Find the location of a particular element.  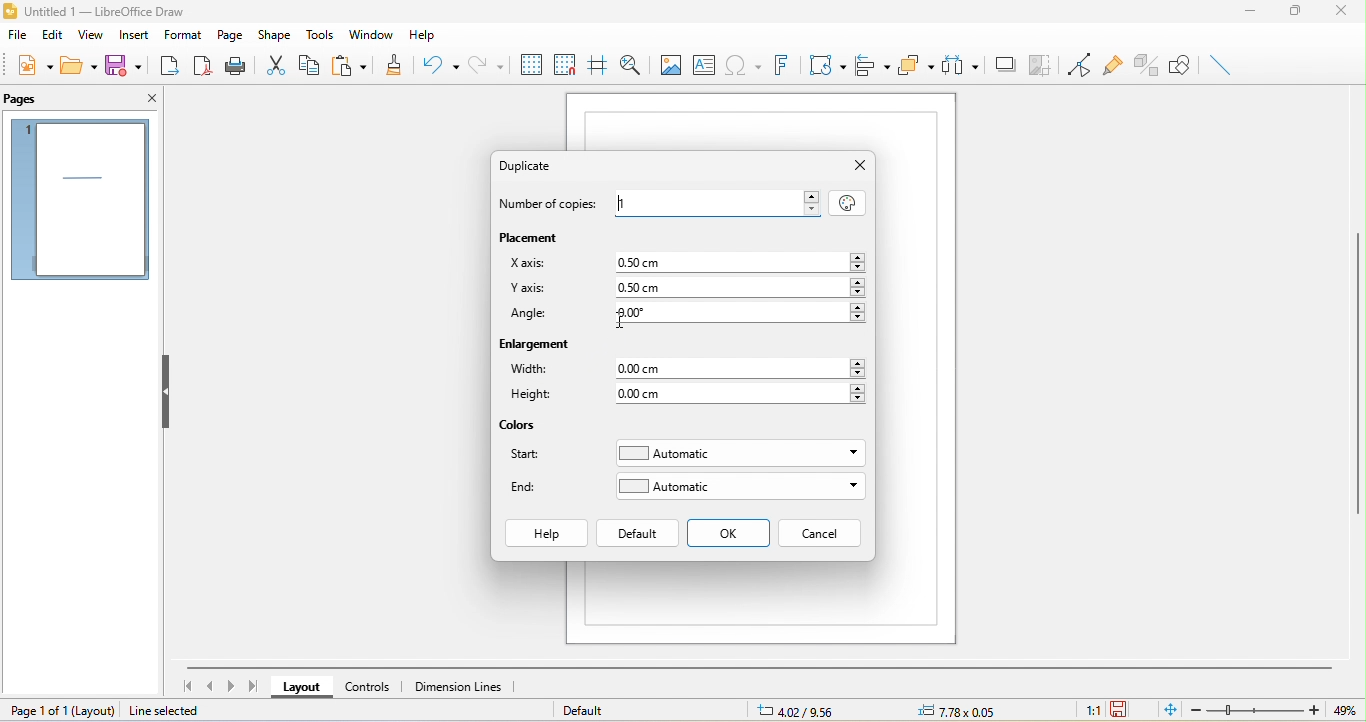

zoom and pan is located at coordinates (628, 63).